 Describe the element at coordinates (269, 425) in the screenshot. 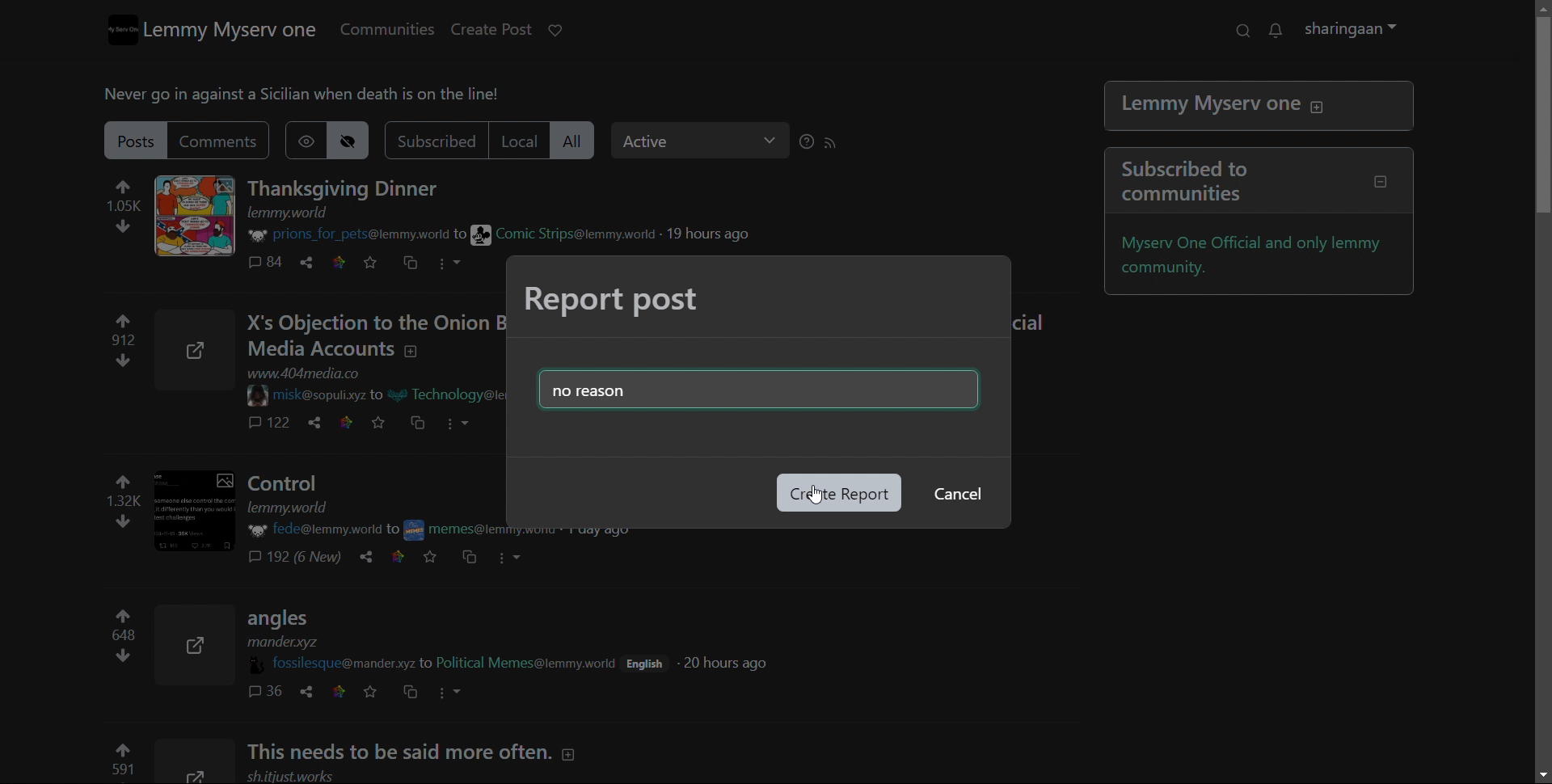

I see `comments` at that location.